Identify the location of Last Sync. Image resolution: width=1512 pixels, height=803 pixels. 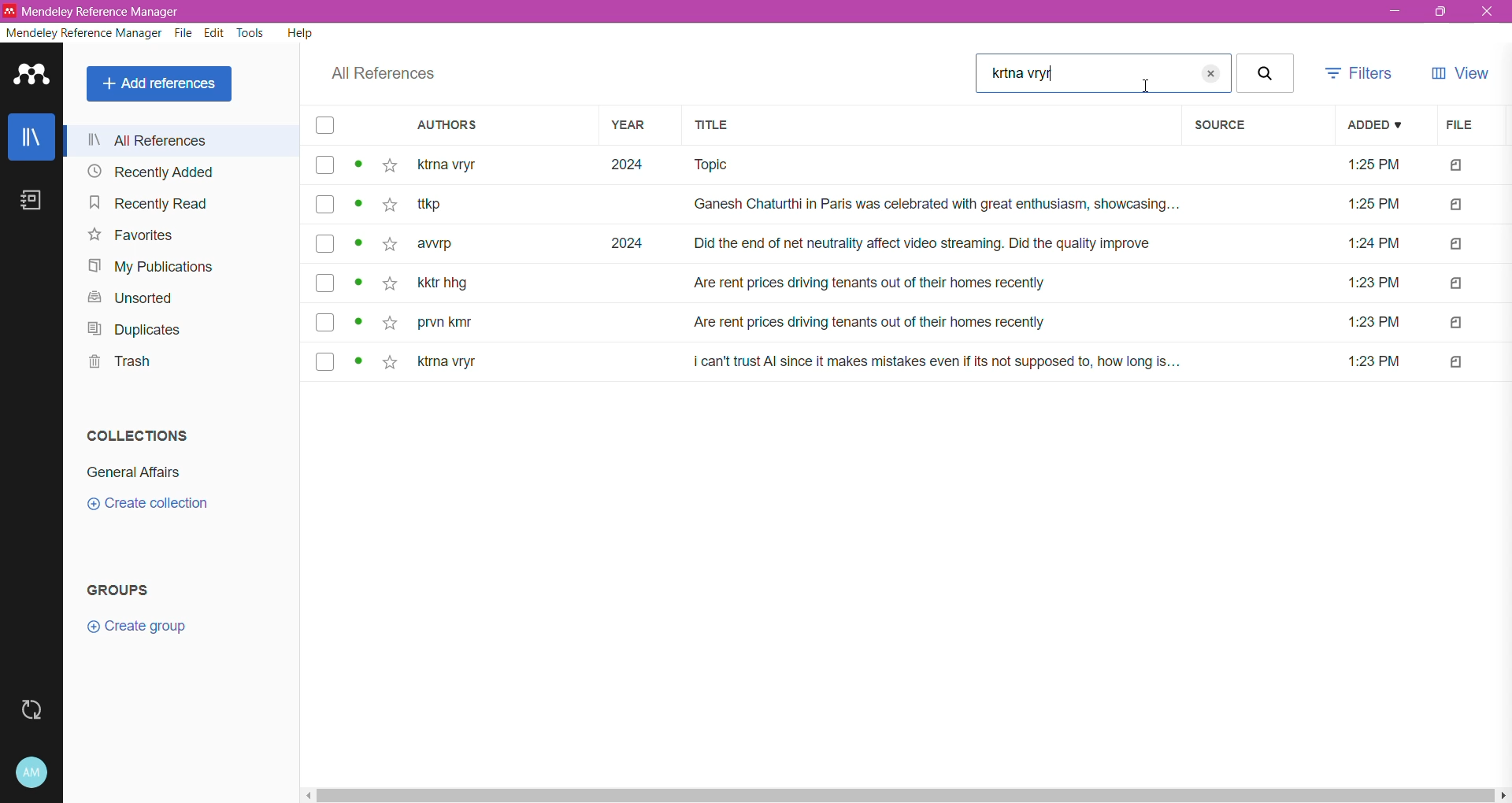
(33, 712).